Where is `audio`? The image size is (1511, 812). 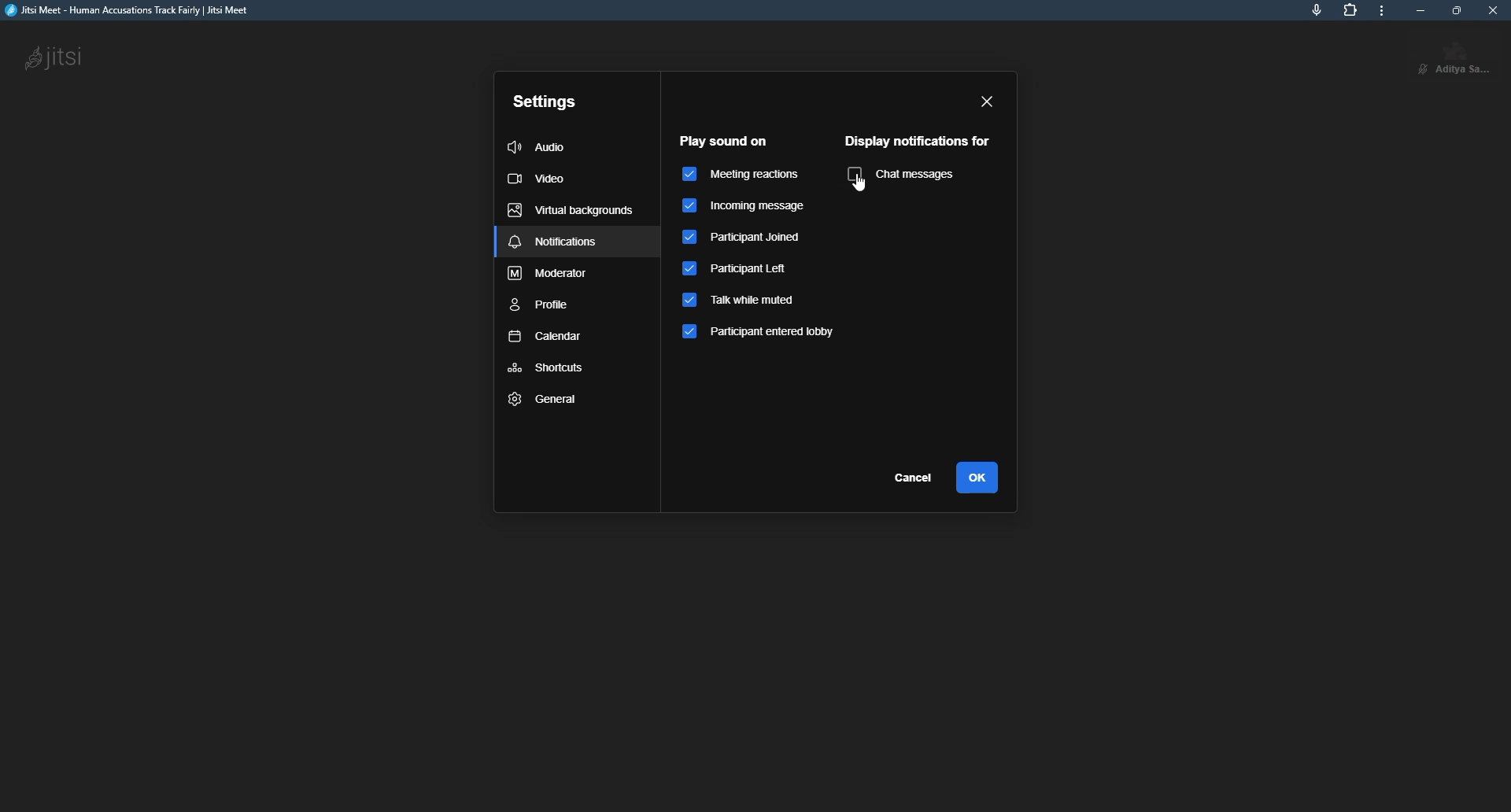 audio is located at coordinates (540, 145).